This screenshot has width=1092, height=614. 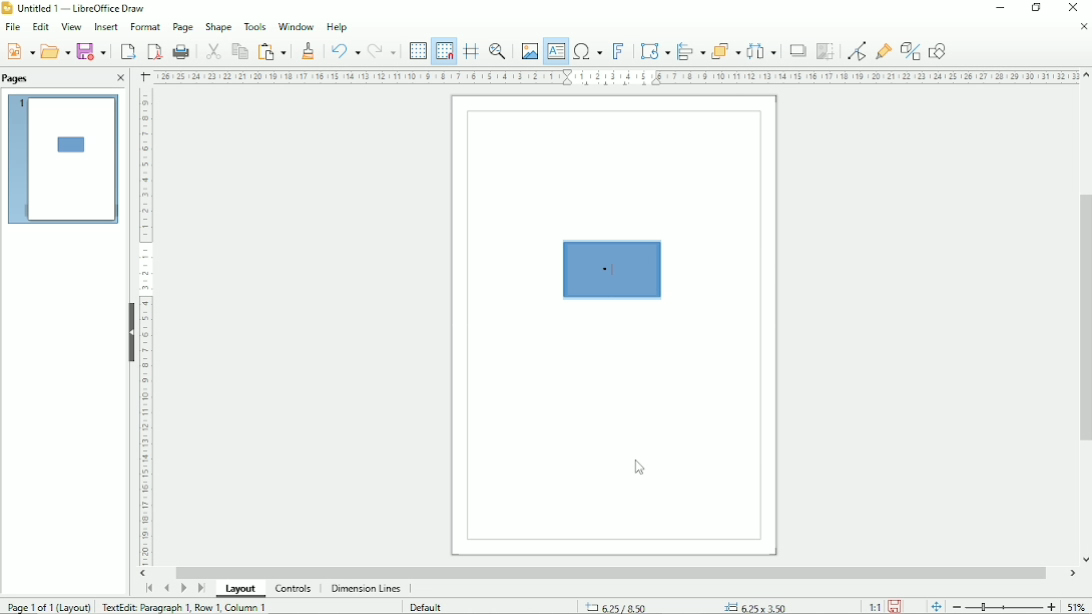 I want to click on Toggle point edit mode, so click(x=857, y=50).